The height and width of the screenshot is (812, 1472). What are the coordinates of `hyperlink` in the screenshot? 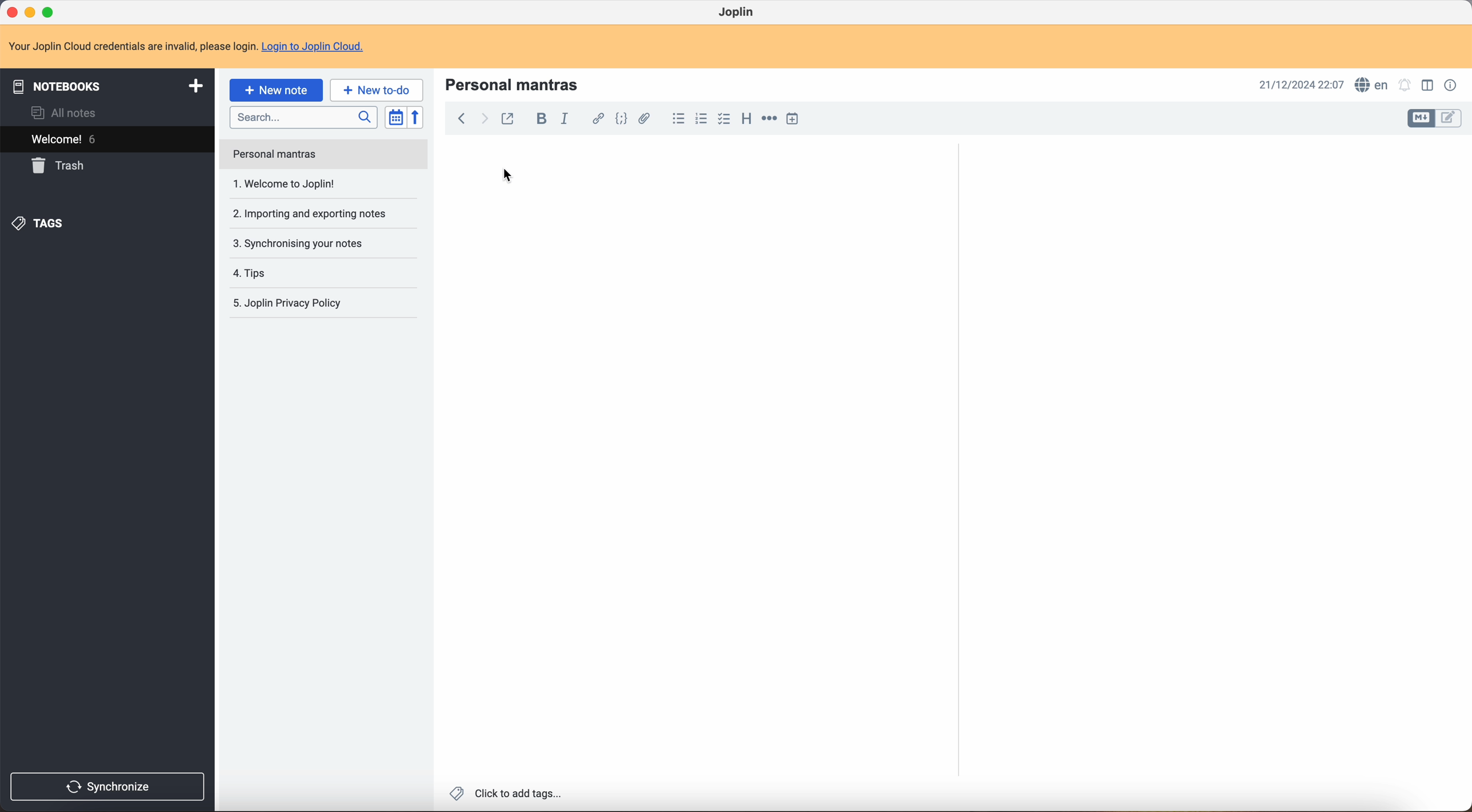 It's located at (597, 119).